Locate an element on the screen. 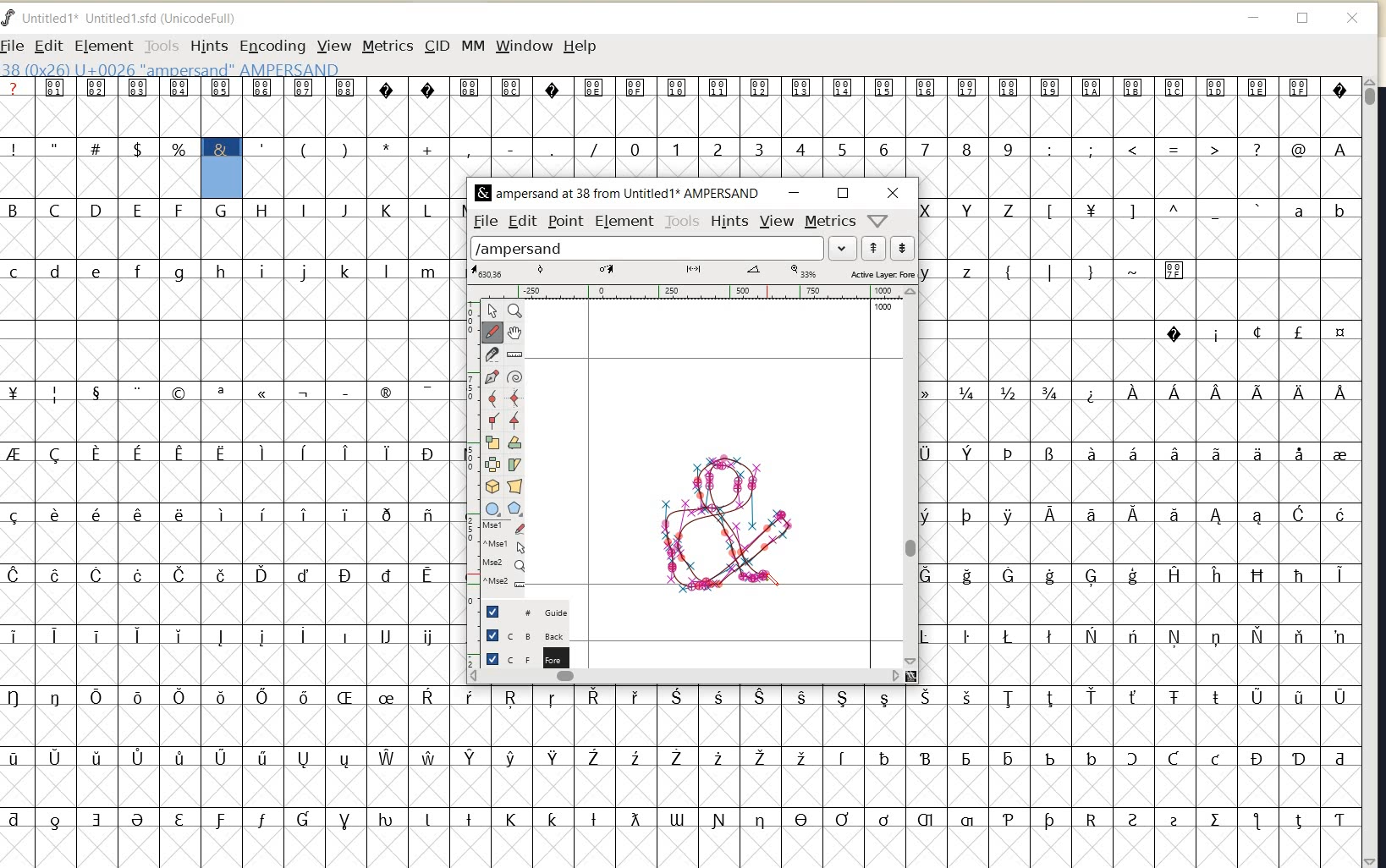 The width and height of the screenshot is (1386, 868).  is located at coordinates (493, 509).